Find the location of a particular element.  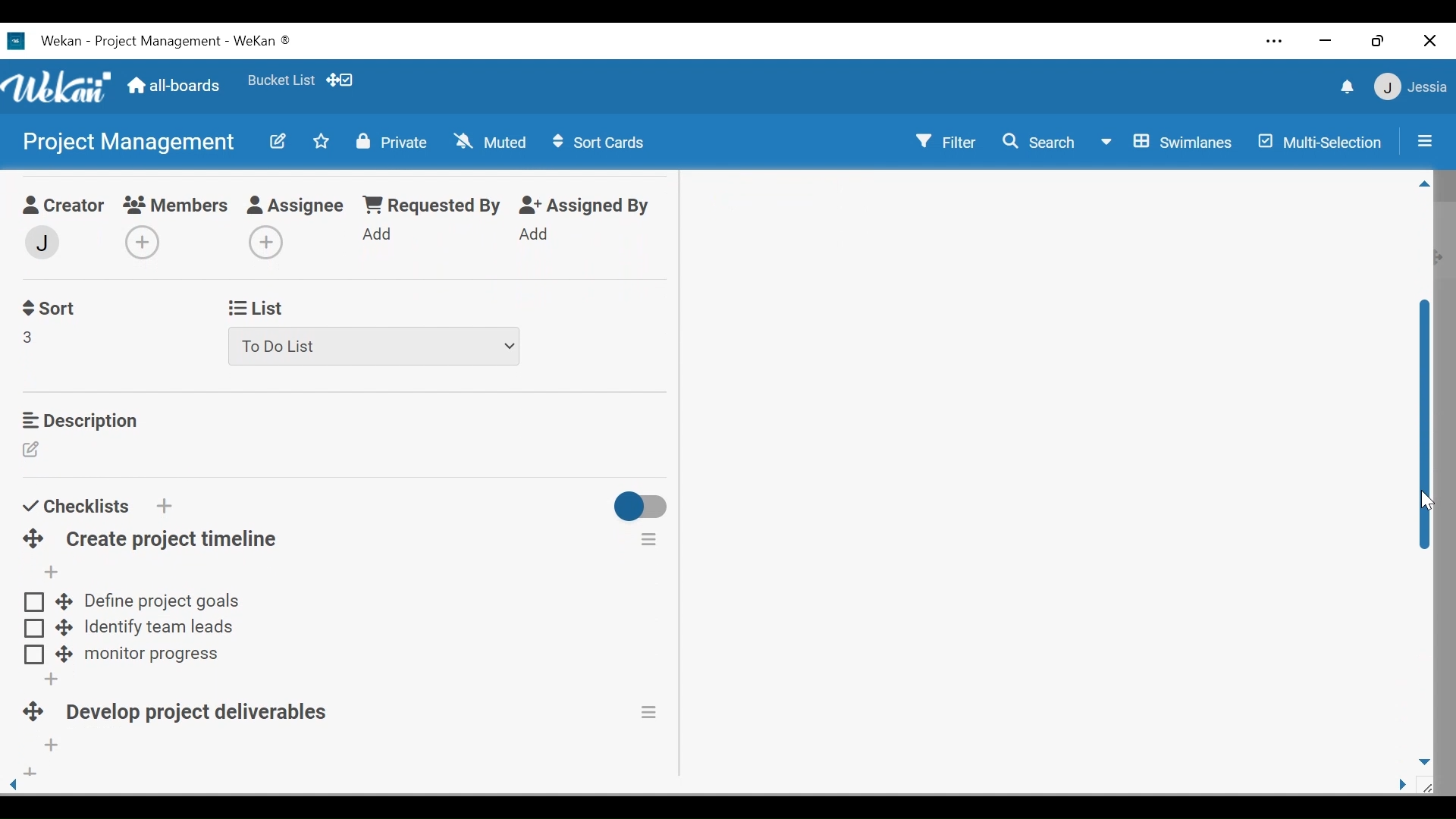

Assignee is located at coordinates (298, 206).